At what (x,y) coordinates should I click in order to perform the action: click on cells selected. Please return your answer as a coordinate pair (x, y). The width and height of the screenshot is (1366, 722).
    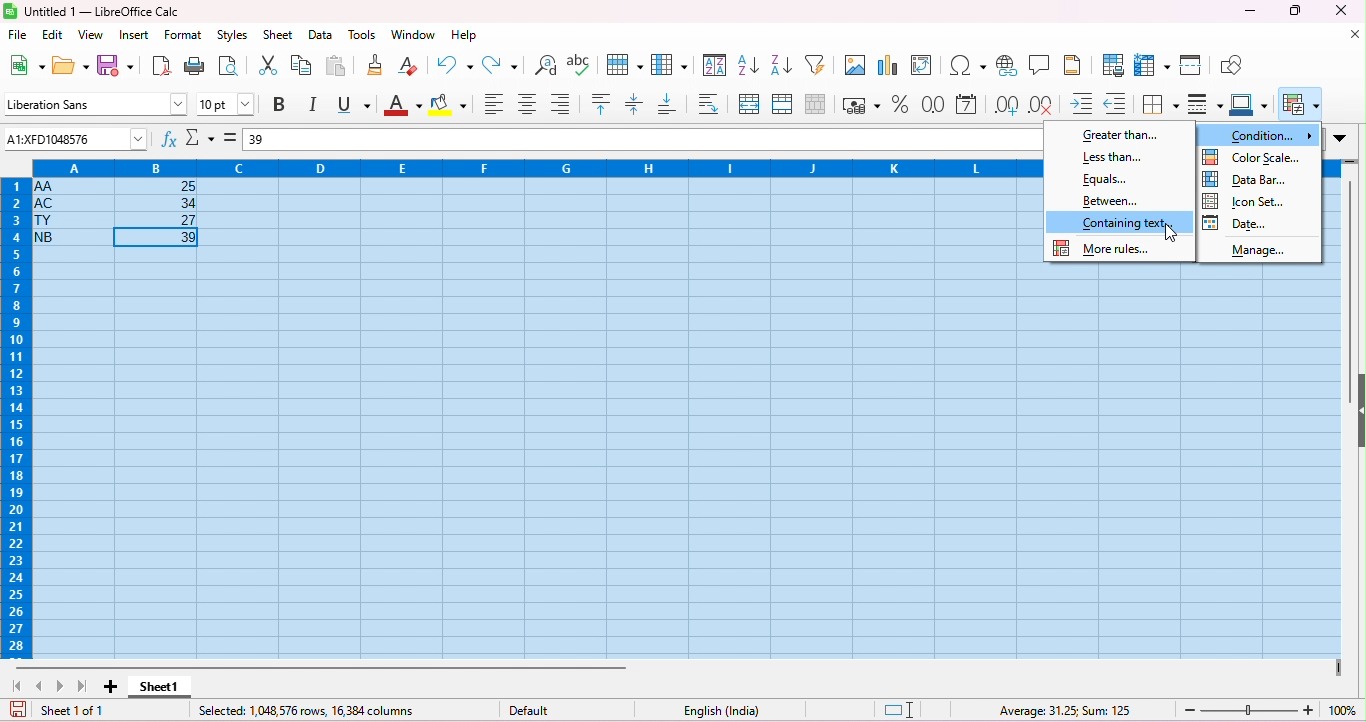
    Looking at the image, I should click on (538, 419).